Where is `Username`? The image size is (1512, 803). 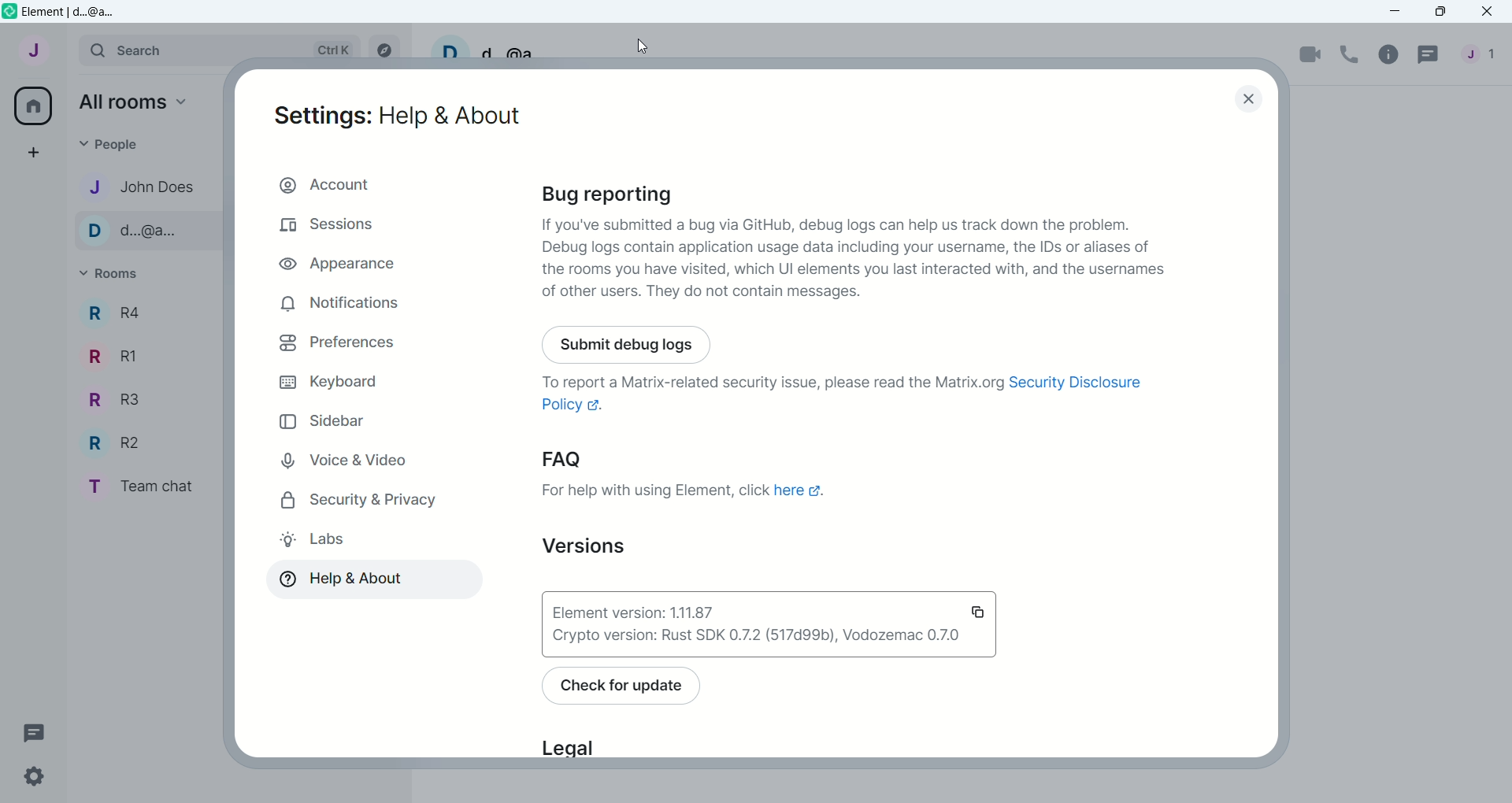
Username is located at coordinates (484, 47).